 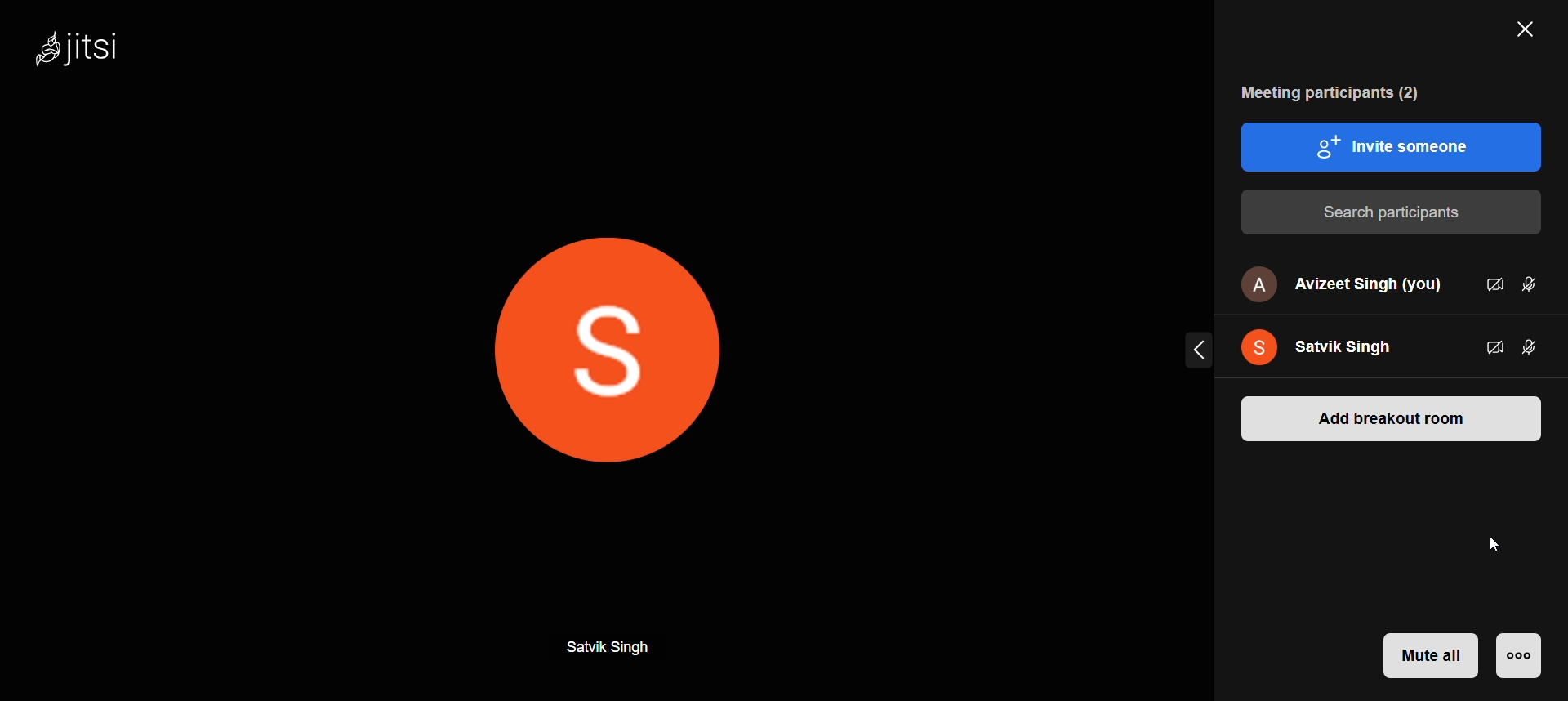 What do you see at coordinates (1521, 33) in the screenshot?
I see `close participants` at bounding box center [1521, 33].